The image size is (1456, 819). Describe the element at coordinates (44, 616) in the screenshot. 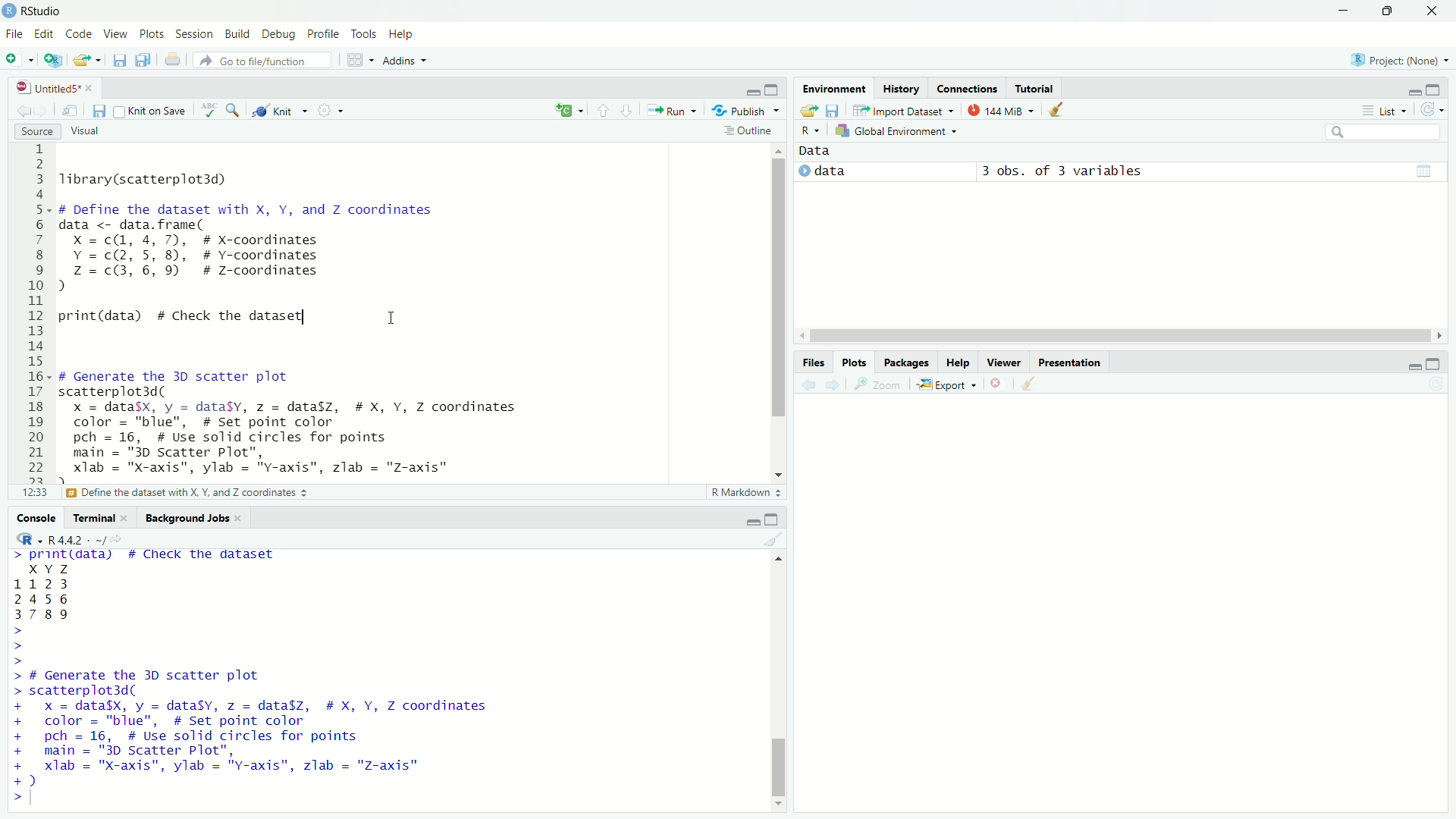

I see `3789` at that location.